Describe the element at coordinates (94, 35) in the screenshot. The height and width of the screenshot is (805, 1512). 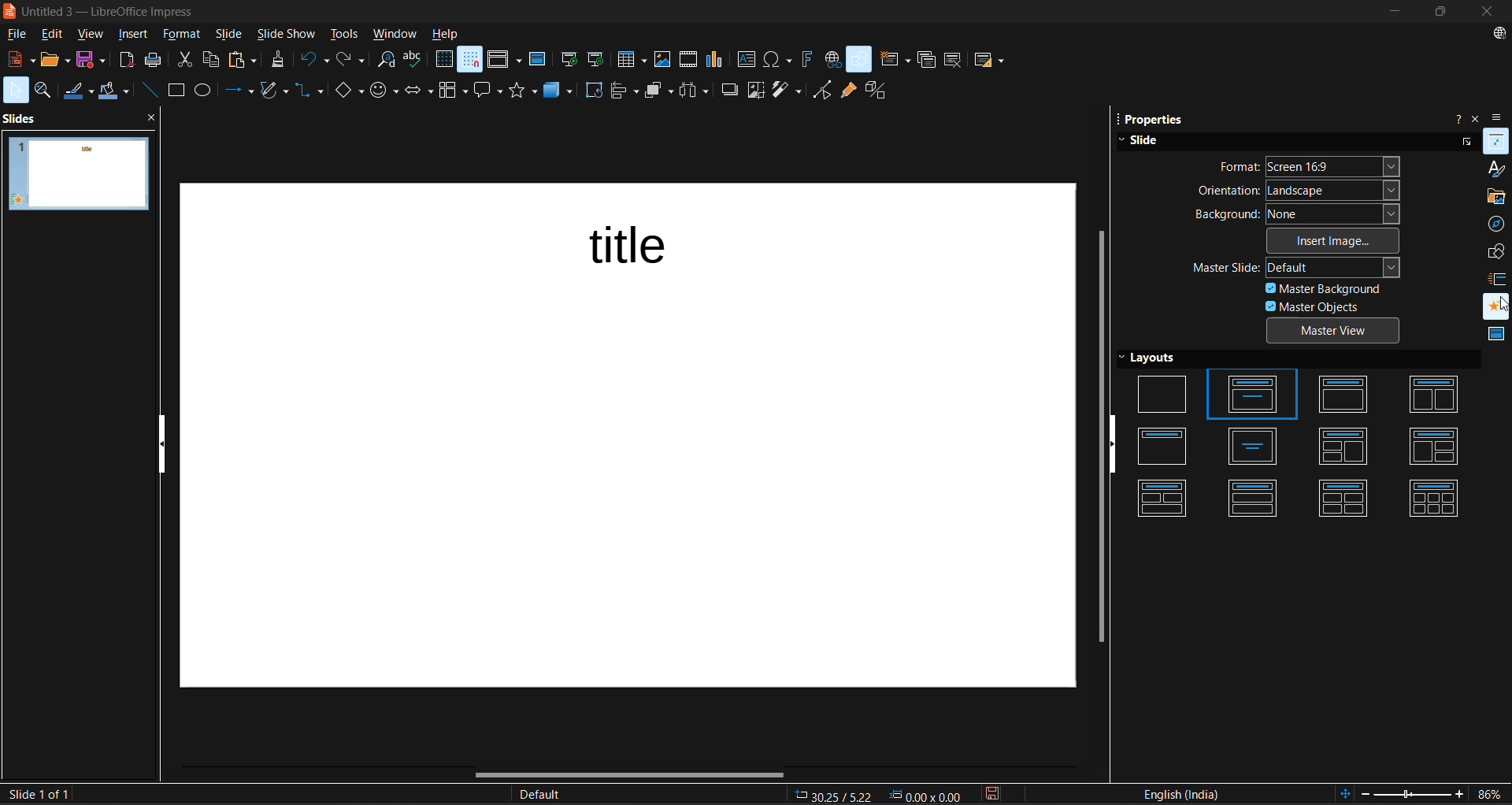
I see `view` at that location.